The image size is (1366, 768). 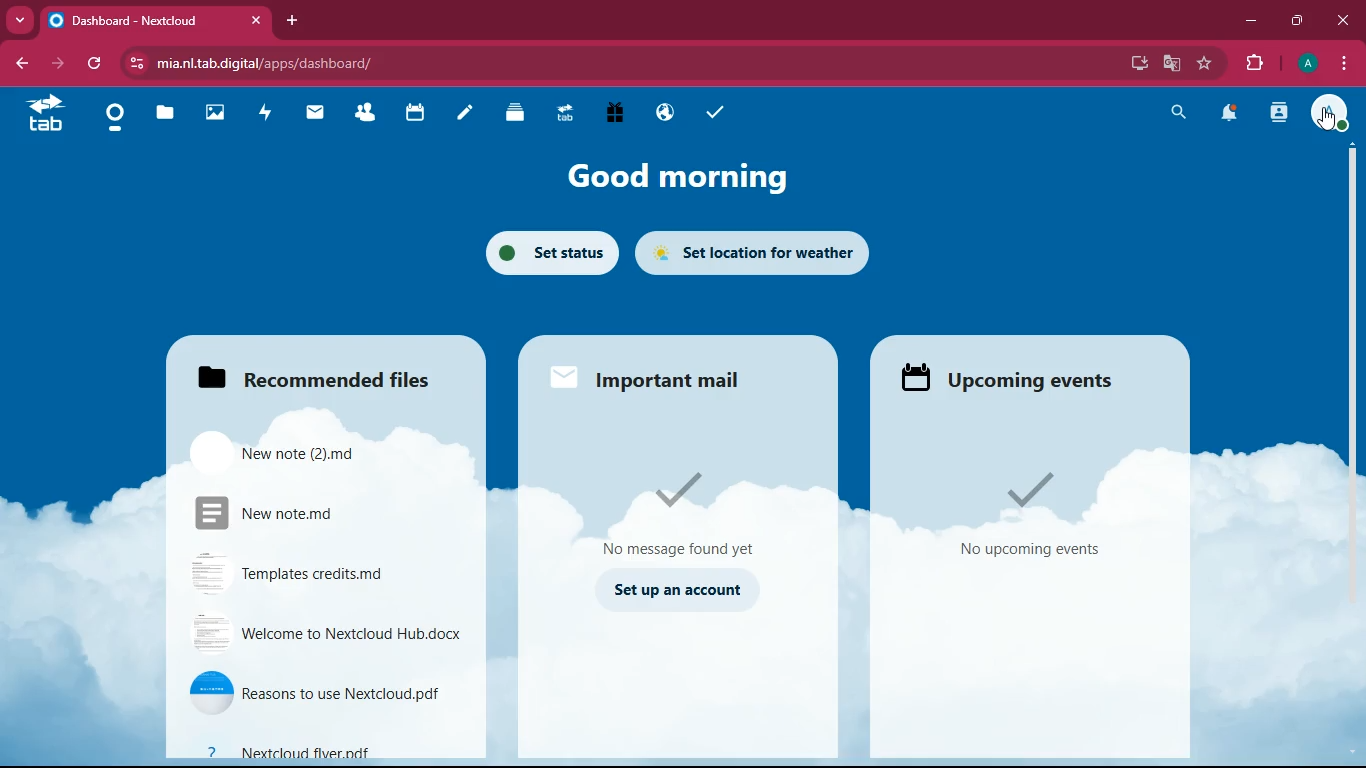 I want to click on minimize, so click(x=1251, y=24).